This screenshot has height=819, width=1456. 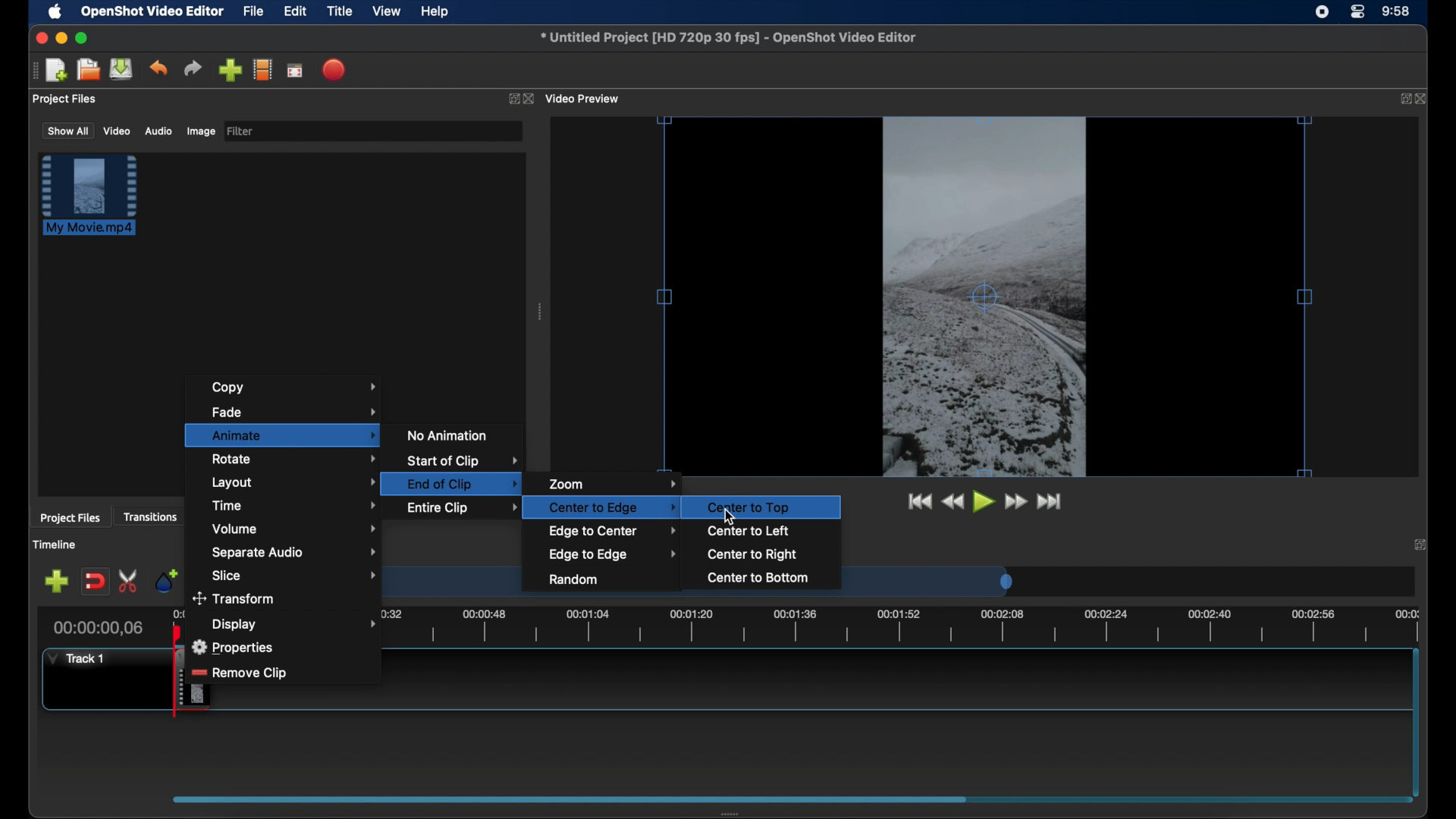 What do you see at coordinates (511, 99) in the screenshot?
I see `expand` at bounding box center [511, 99].